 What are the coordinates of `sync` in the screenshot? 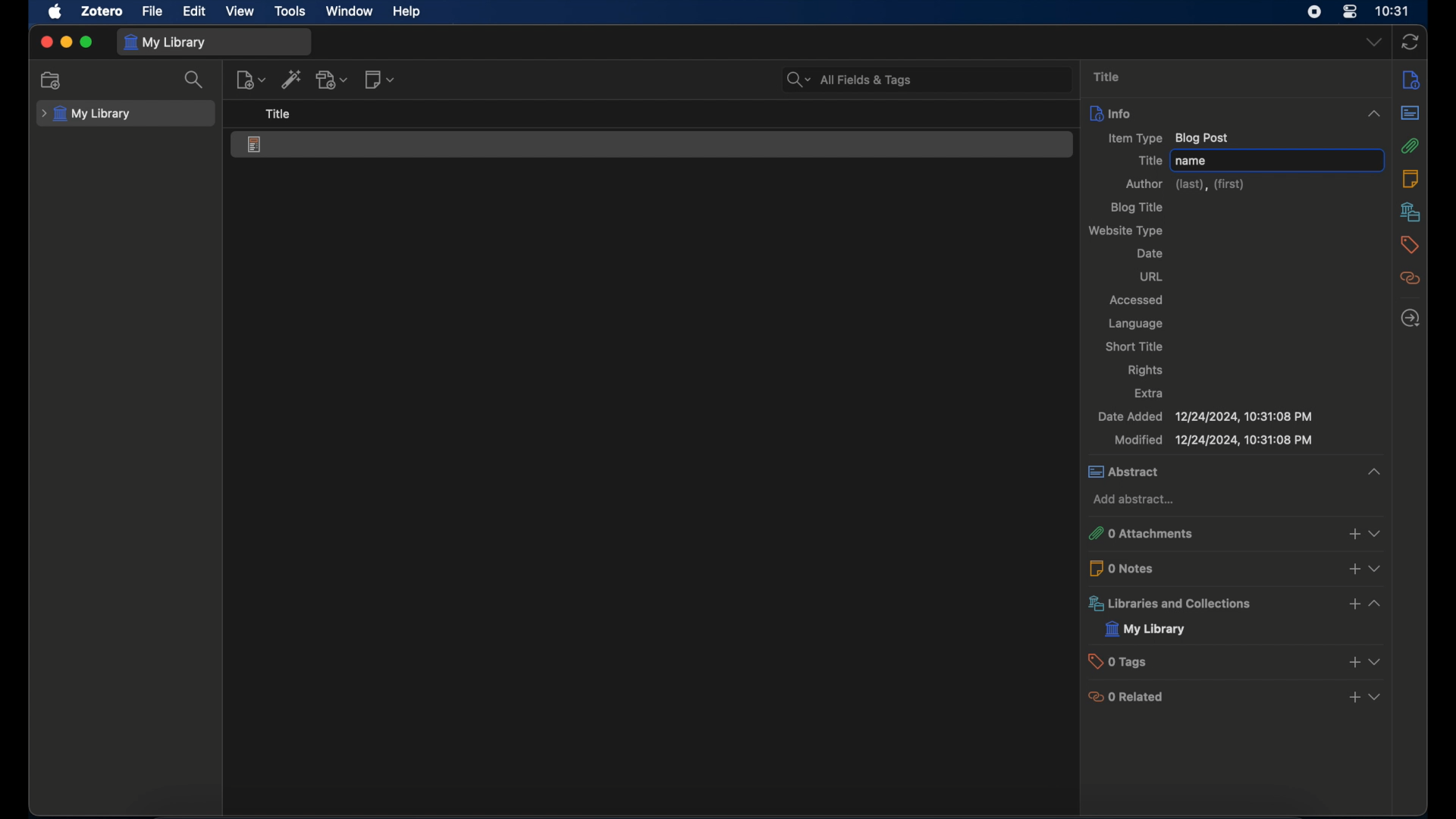 It's located at (1410, 43).